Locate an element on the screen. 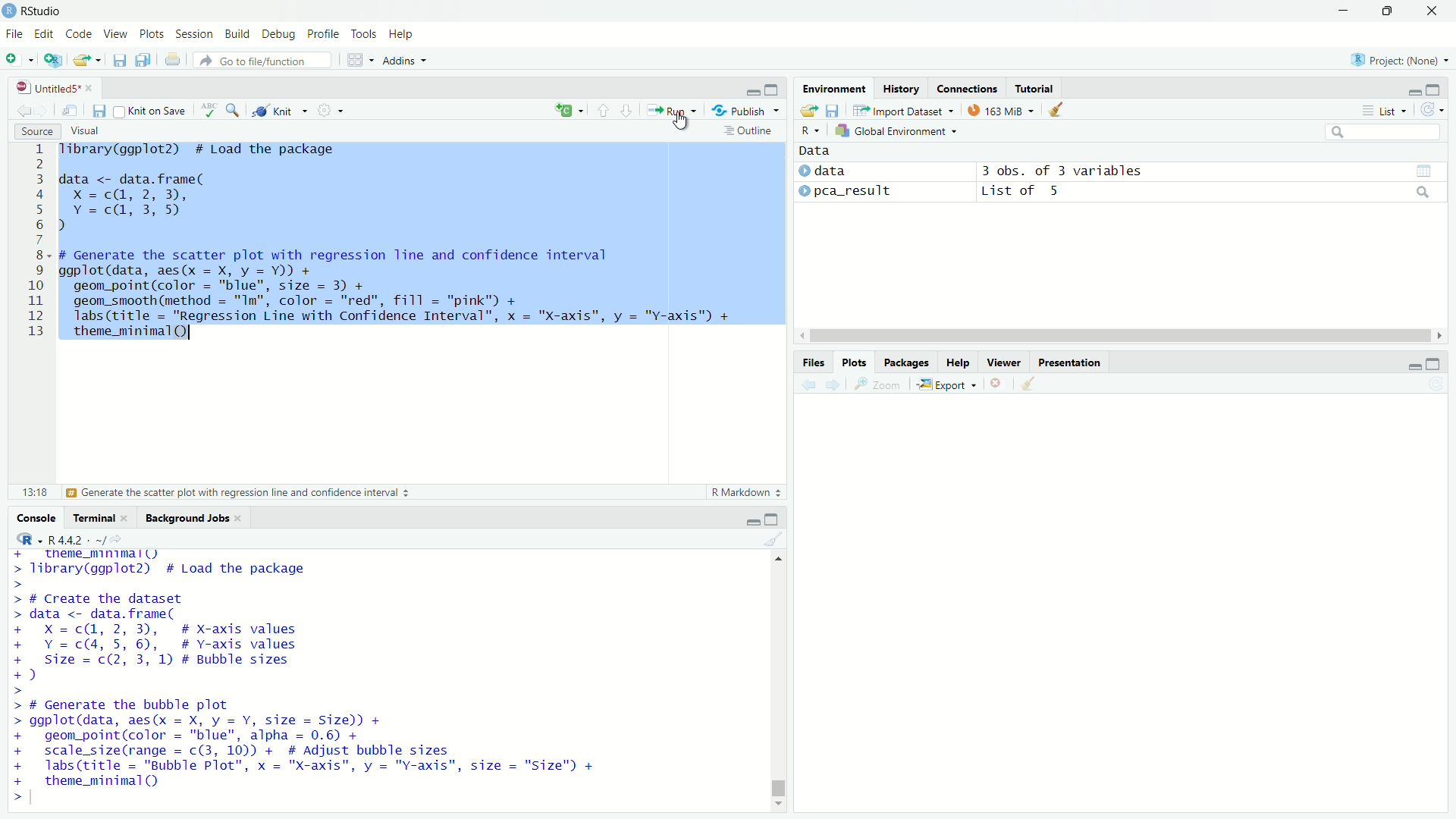 The image size is (1456, 819). Plots is located at coordinates (853, 362).